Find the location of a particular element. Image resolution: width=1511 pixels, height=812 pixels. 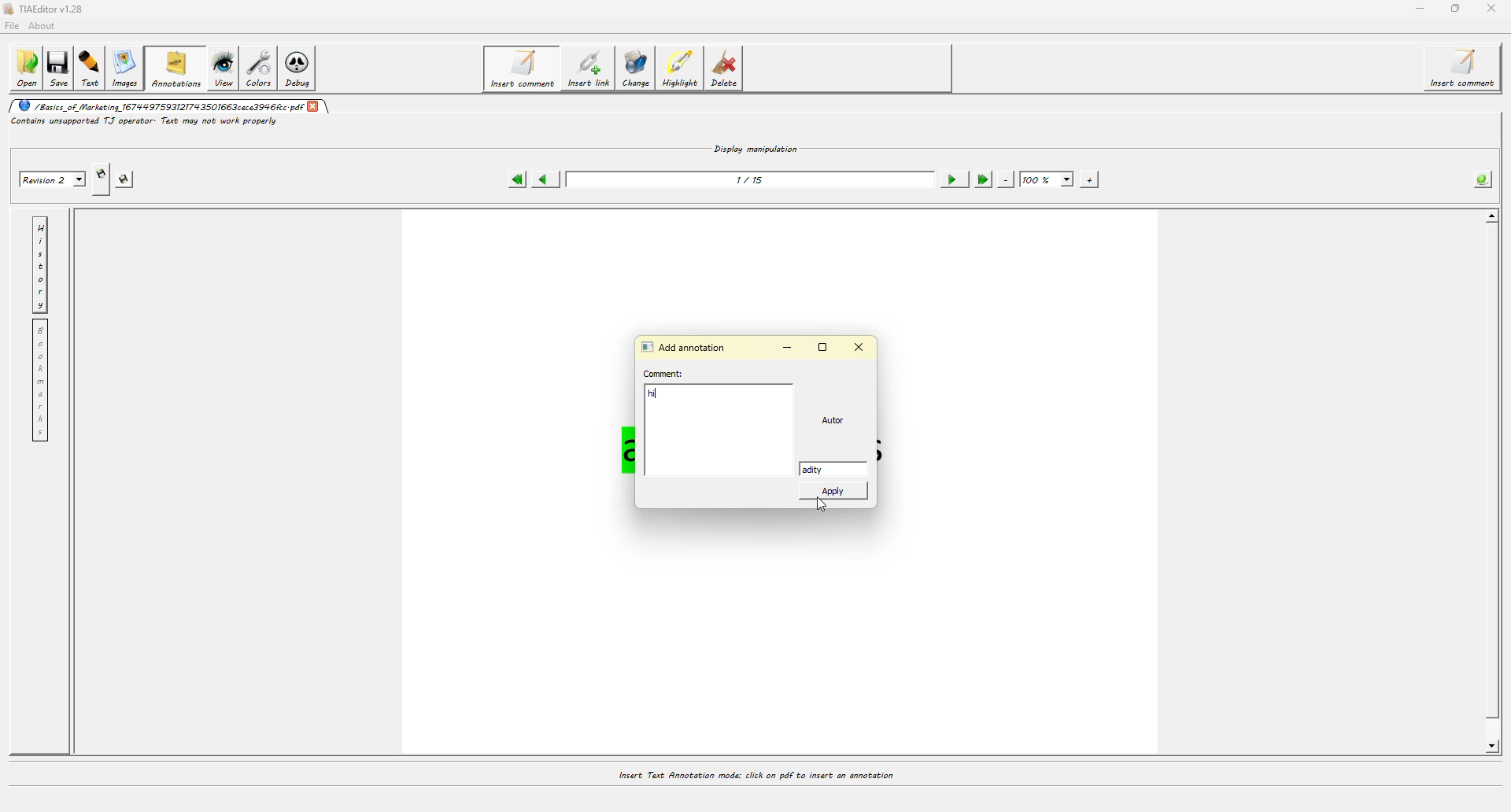

scroll up is located at coordinates (1489, 217).